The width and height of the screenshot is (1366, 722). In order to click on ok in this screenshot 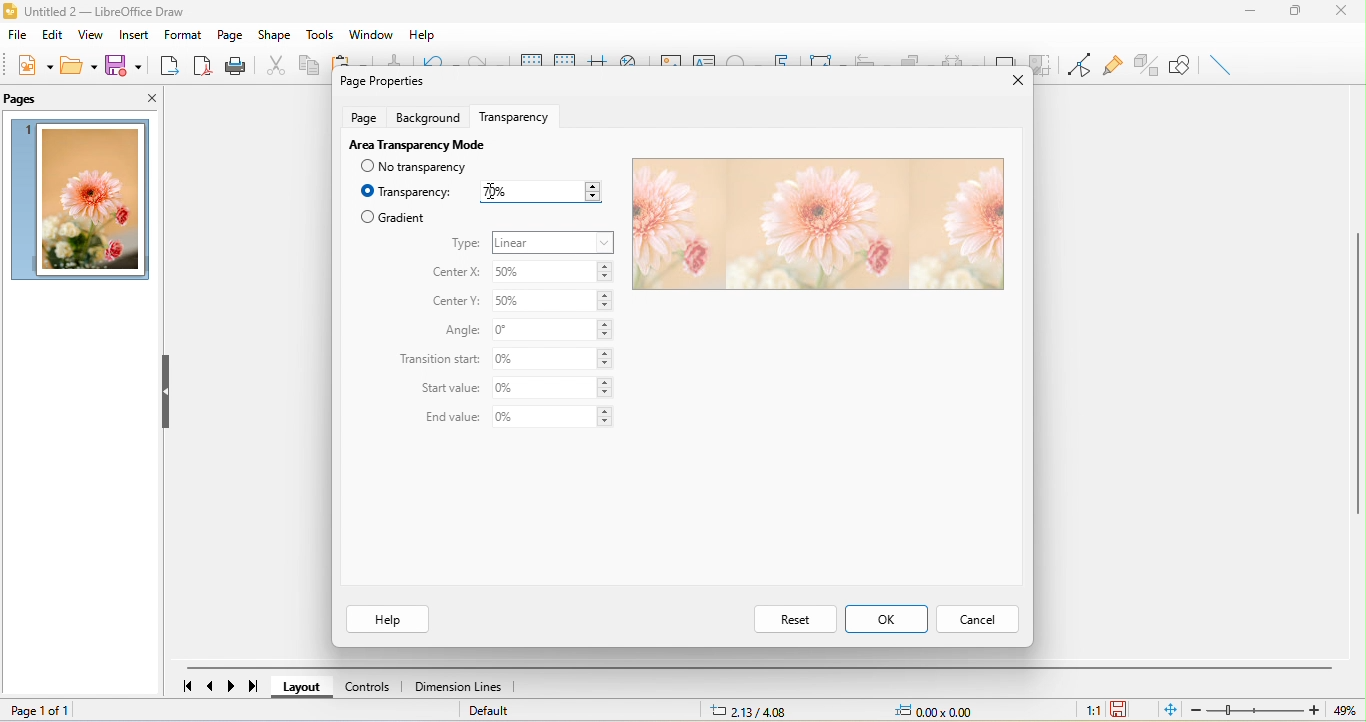, I will do `click(886, 618)`.